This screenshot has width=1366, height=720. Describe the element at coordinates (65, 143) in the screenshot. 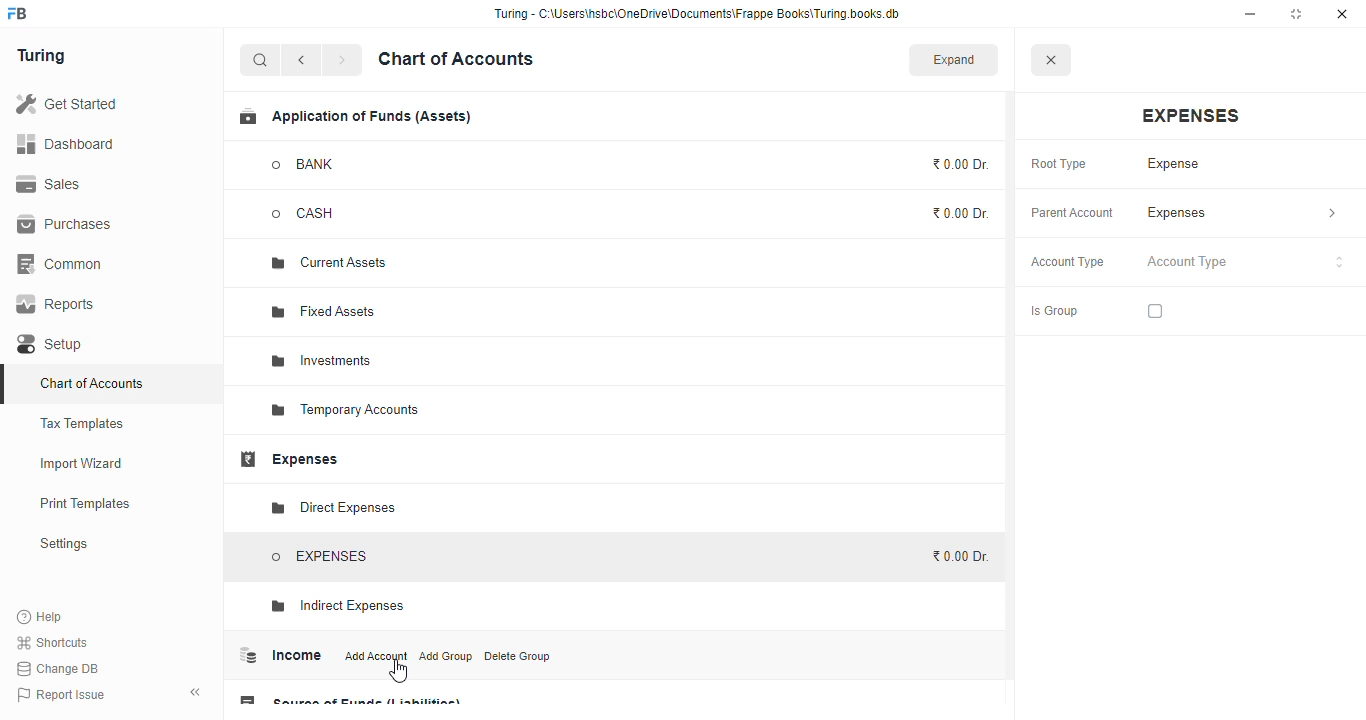

I see `dashboard` at that location.